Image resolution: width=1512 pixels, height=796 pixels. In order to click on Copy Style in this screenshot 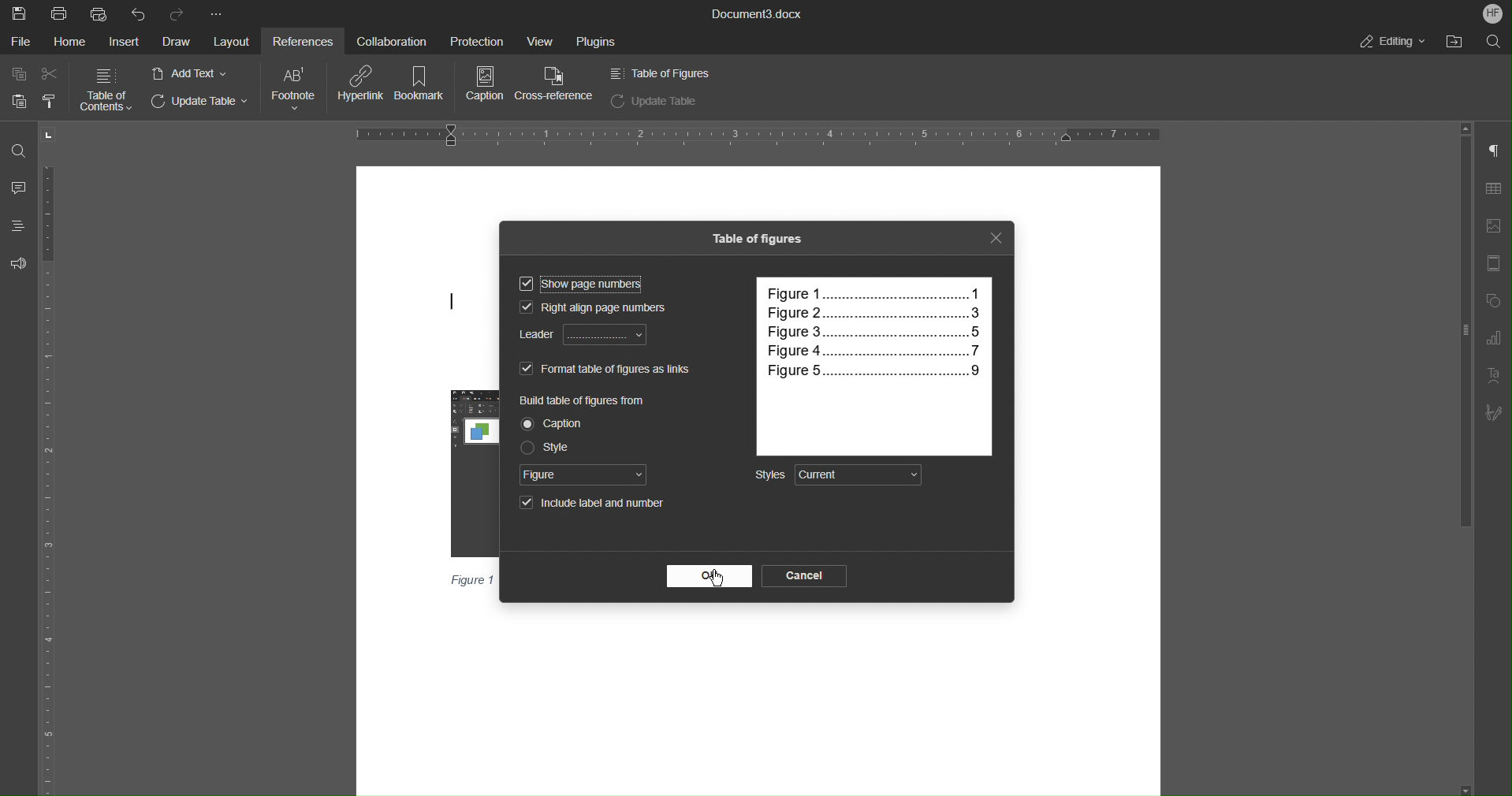, I will do `click(50, 101)`.